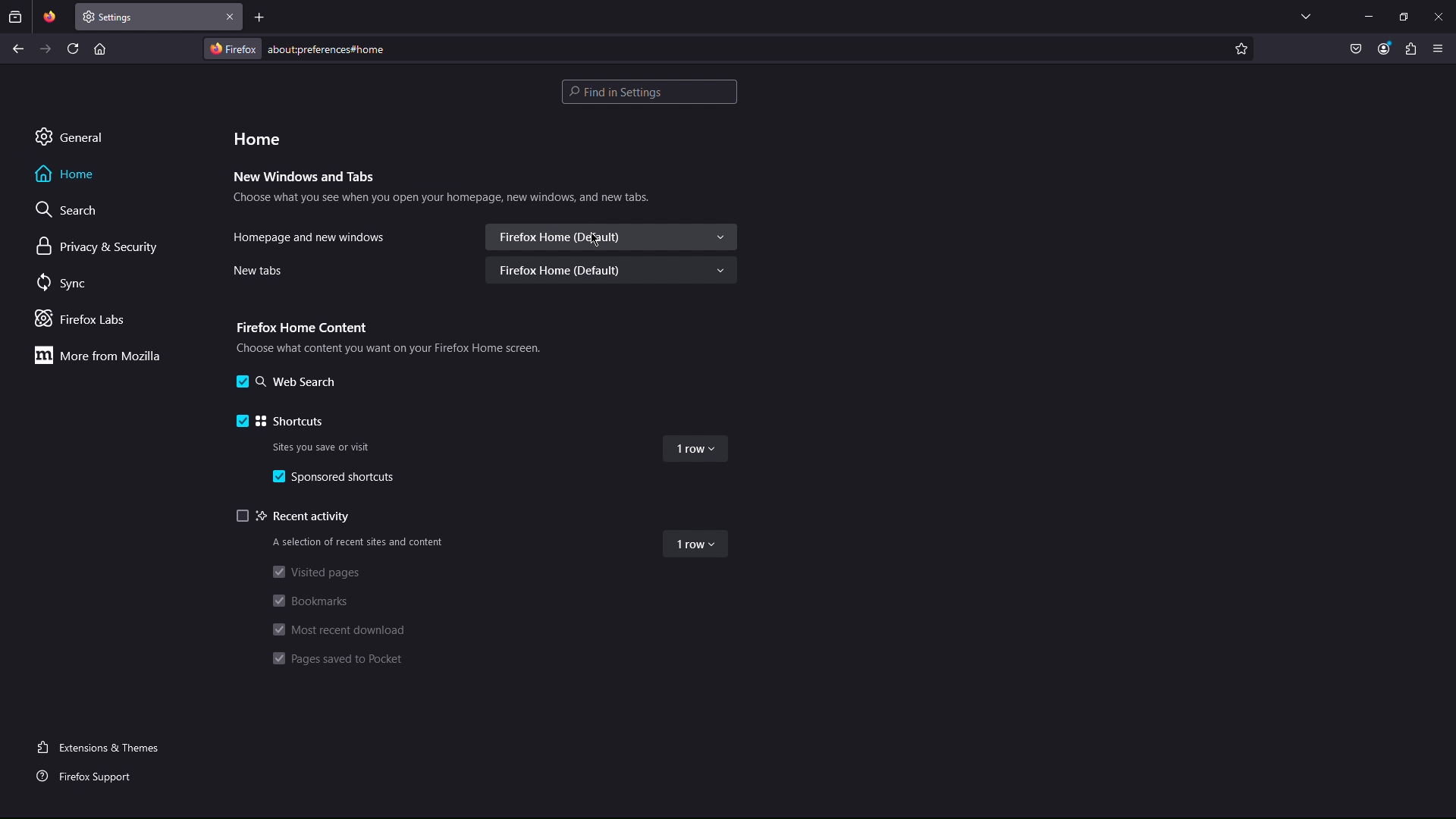 Image resolution: width=1456 pixels, height=819 pixels. I want to click on Choose what you see when you open your homepage, so click(441, 200).